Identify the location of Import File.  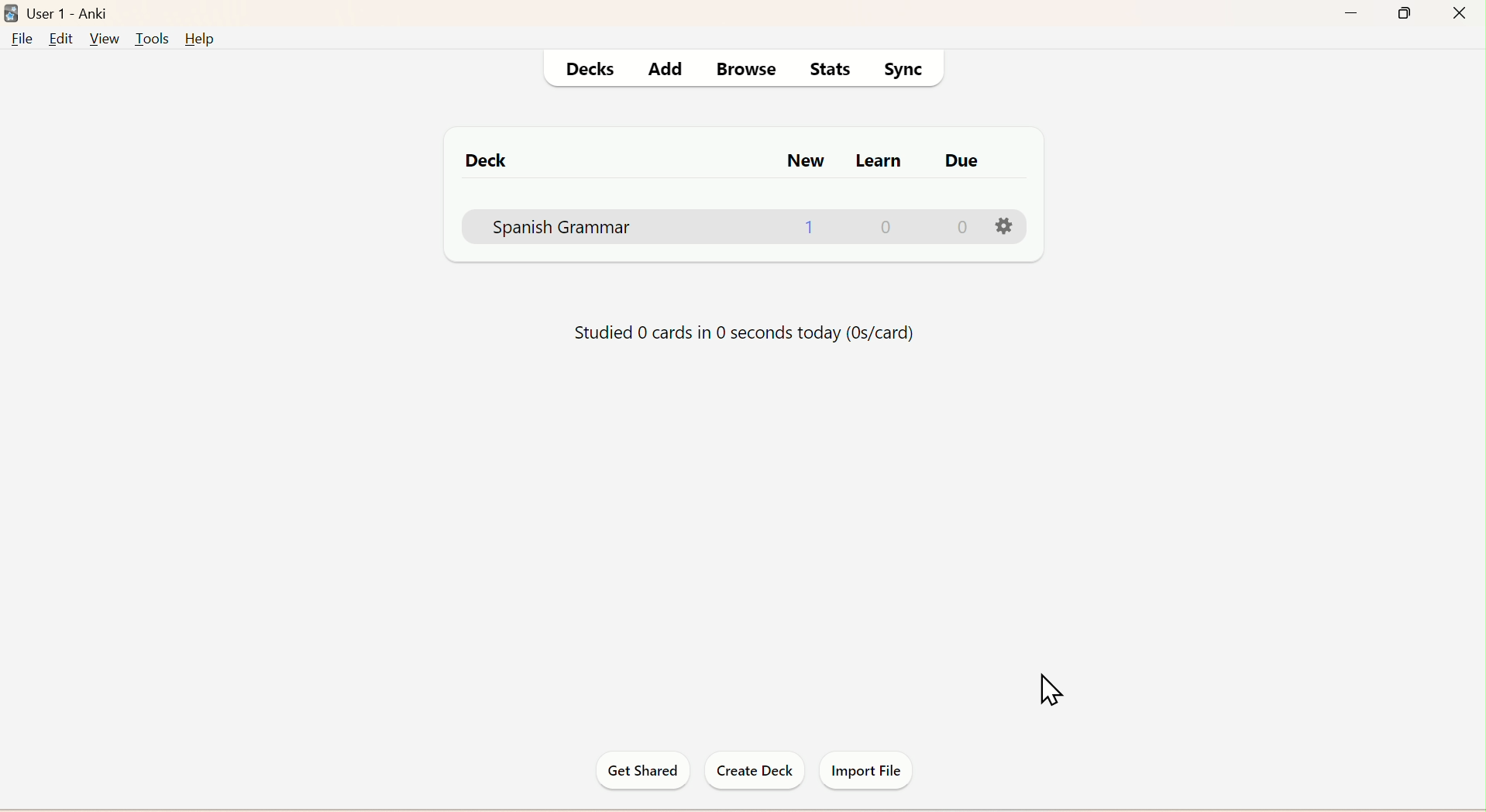
(865, 769).